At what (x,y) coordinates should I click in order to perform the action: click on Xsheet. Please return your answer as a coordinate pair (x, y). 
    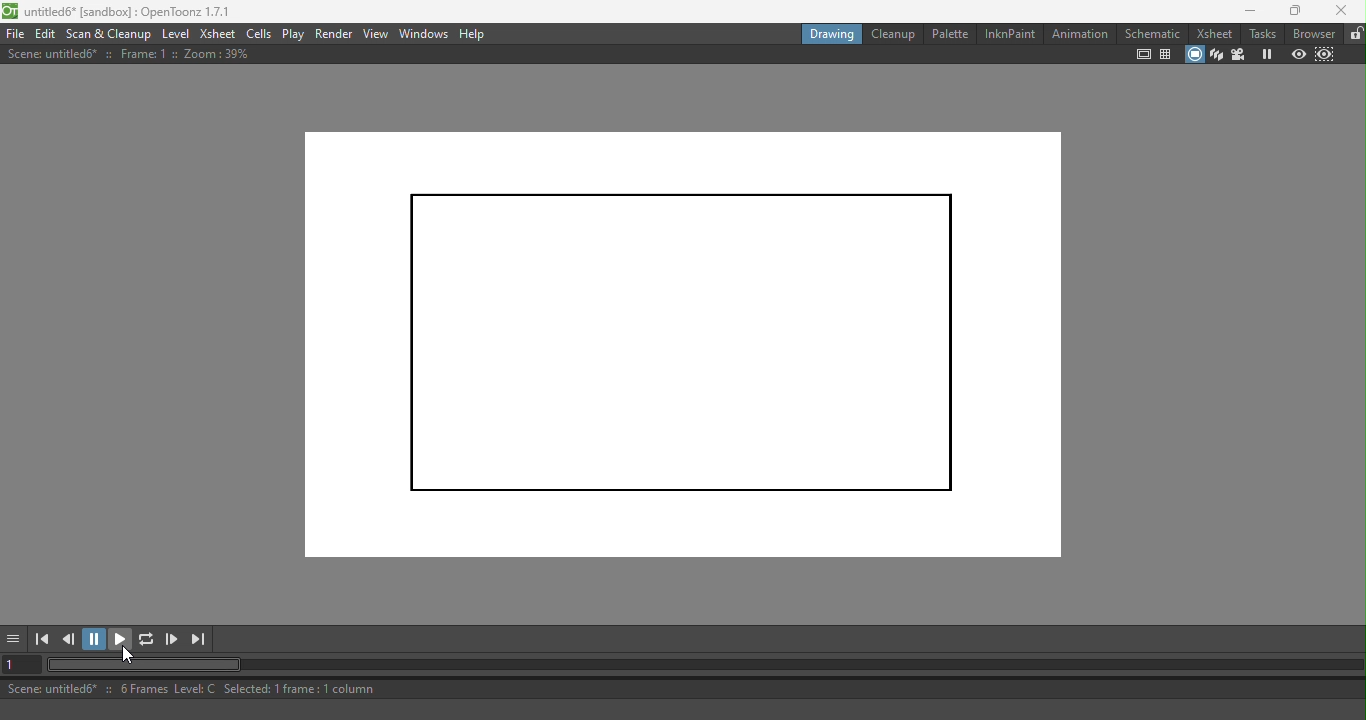
    Looking at the image, I should click on (219, 36).